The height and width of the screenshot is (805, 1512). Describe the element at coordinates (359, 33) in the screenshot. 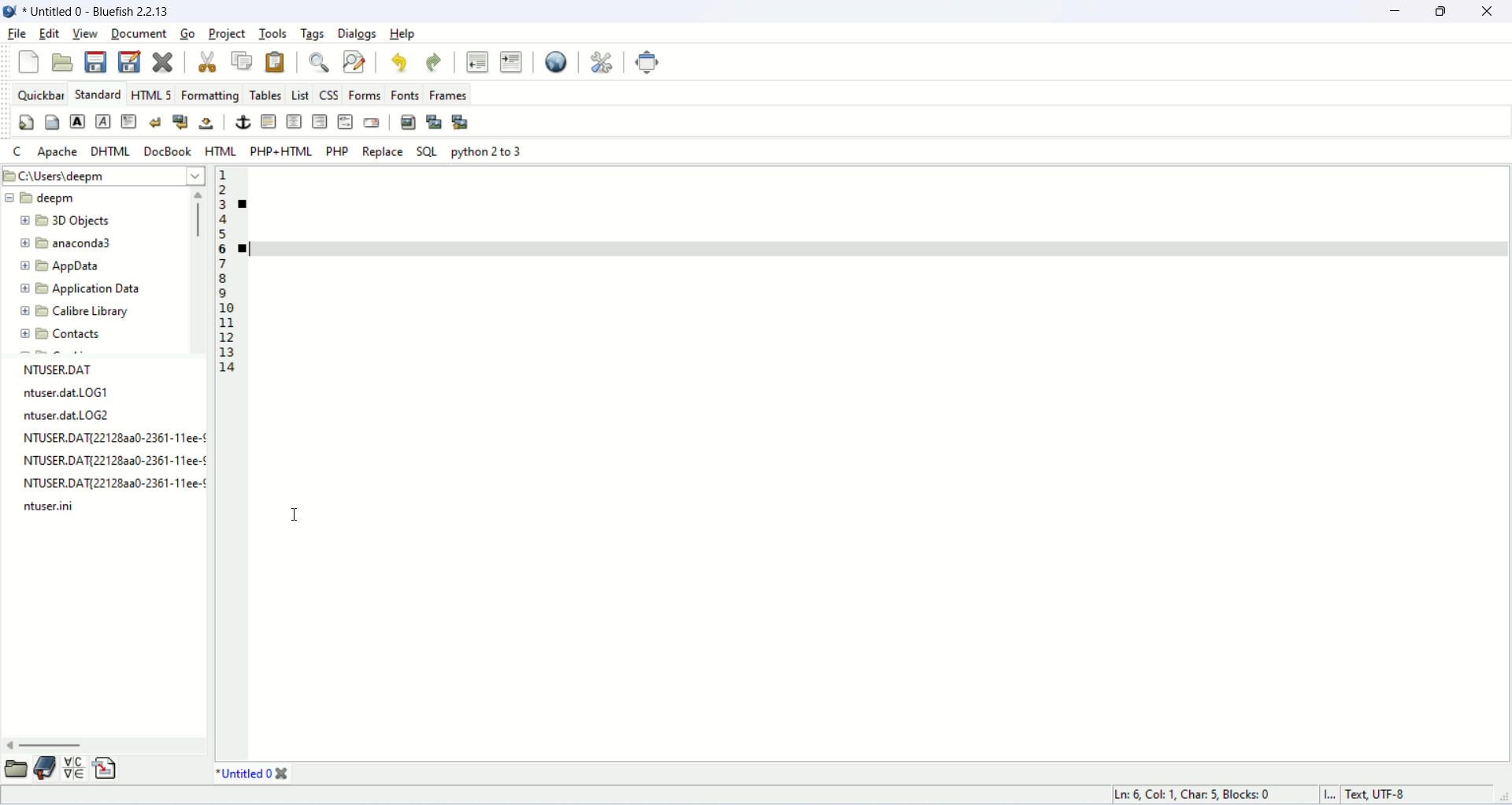

I see `dialogs` at that location.